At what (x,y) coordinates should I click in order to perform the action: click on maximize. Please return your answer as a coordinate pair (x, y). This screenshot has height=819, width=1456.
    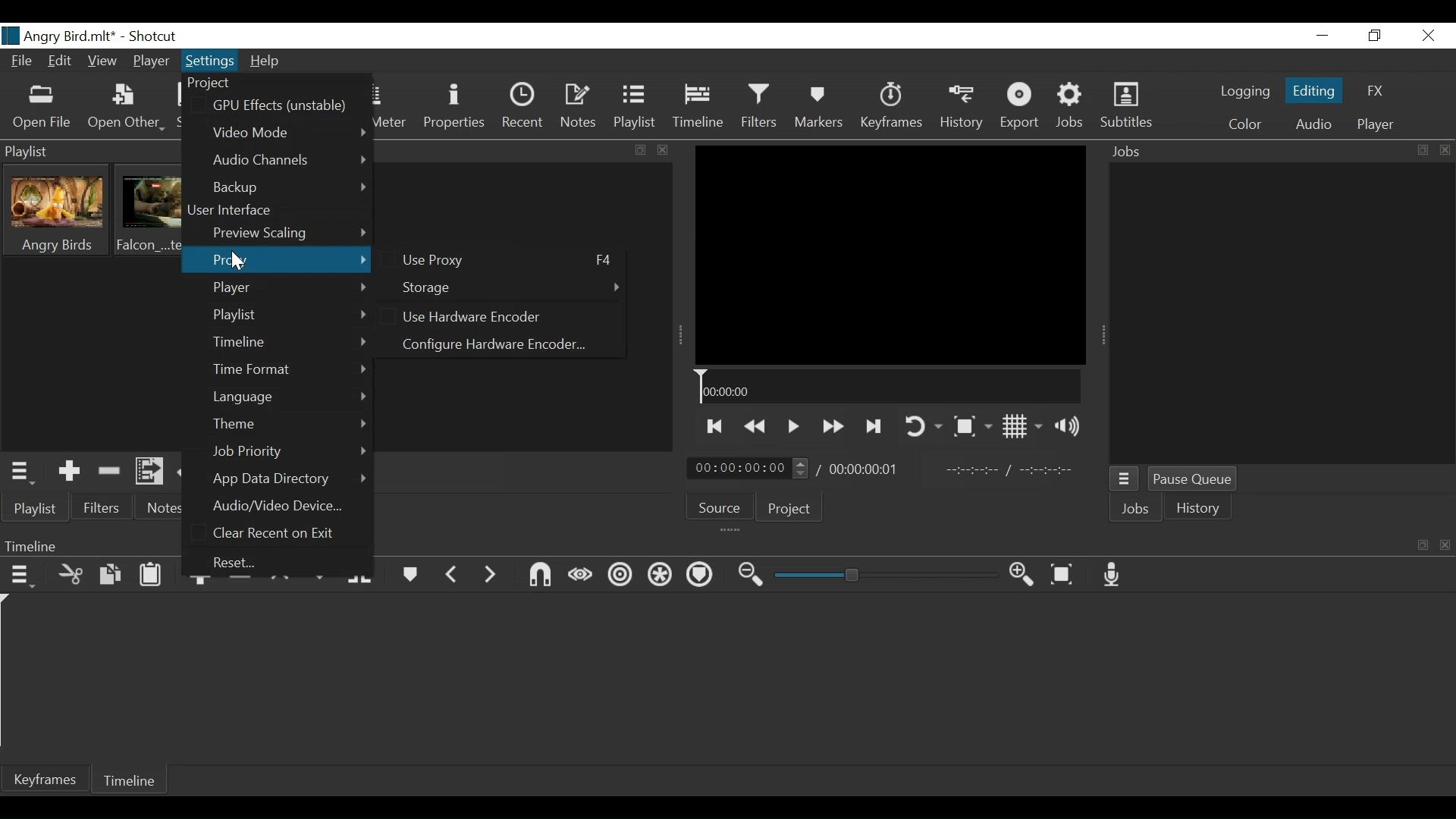
    Looking at the image, I should click on (635, 153).